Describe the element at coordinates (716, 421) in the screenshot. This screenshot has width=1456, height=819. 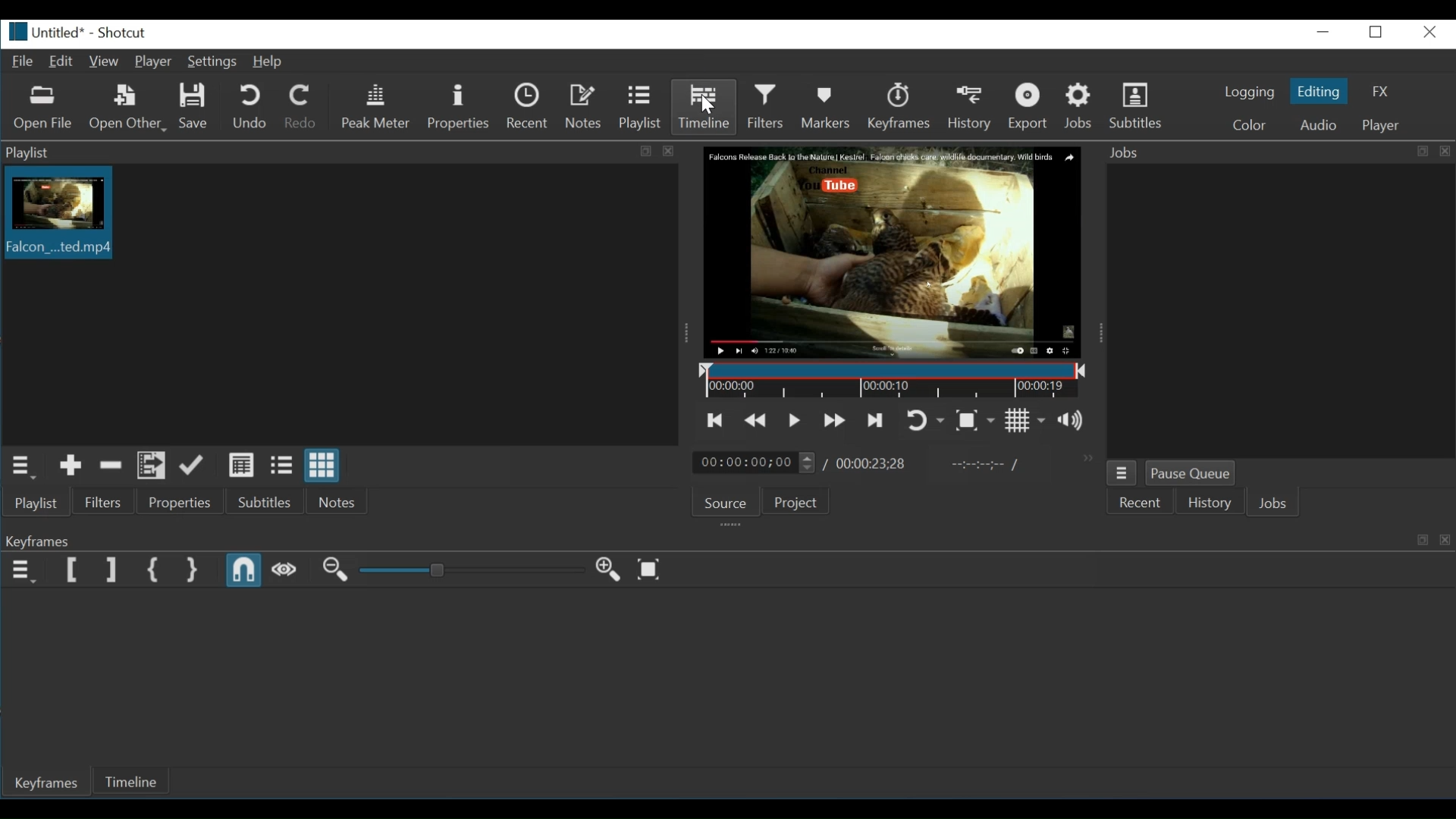
I see `Skip to the previous point` at that location.